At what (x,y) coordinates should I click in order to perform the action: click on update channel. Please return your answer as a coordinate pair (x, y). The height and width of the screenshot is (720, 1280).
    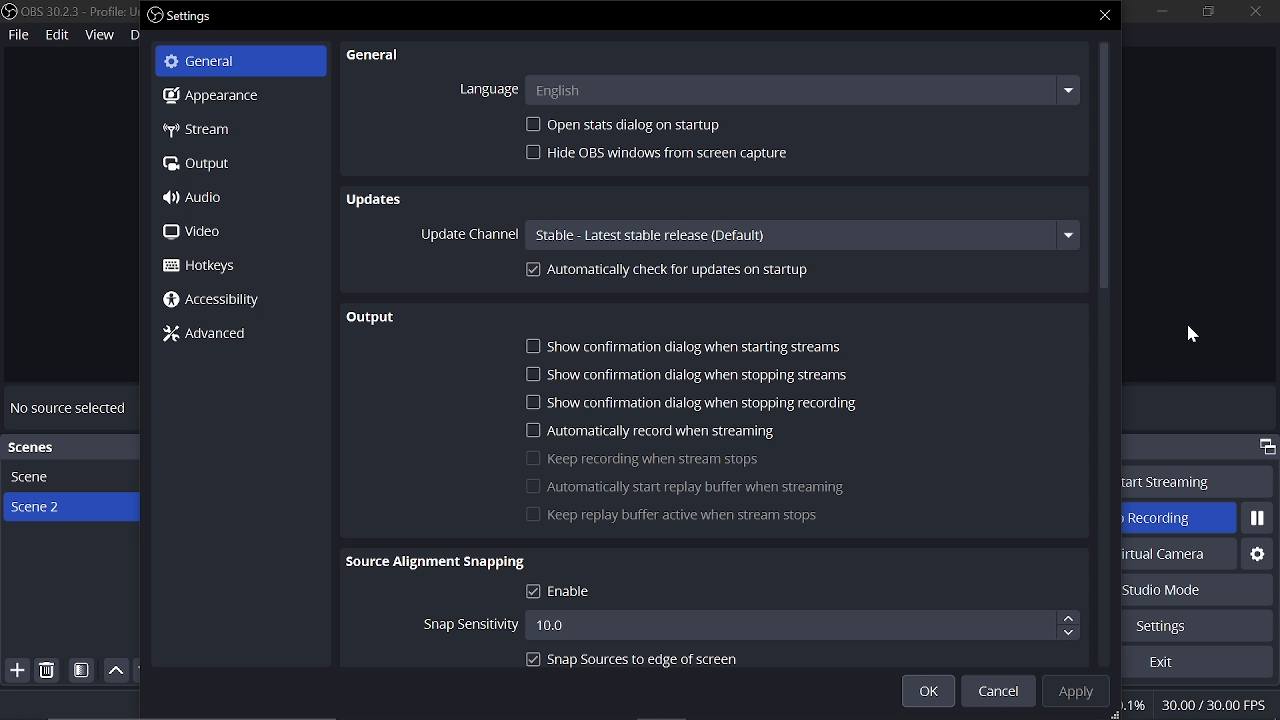
    Looking at the image, I should click on (470, 234).